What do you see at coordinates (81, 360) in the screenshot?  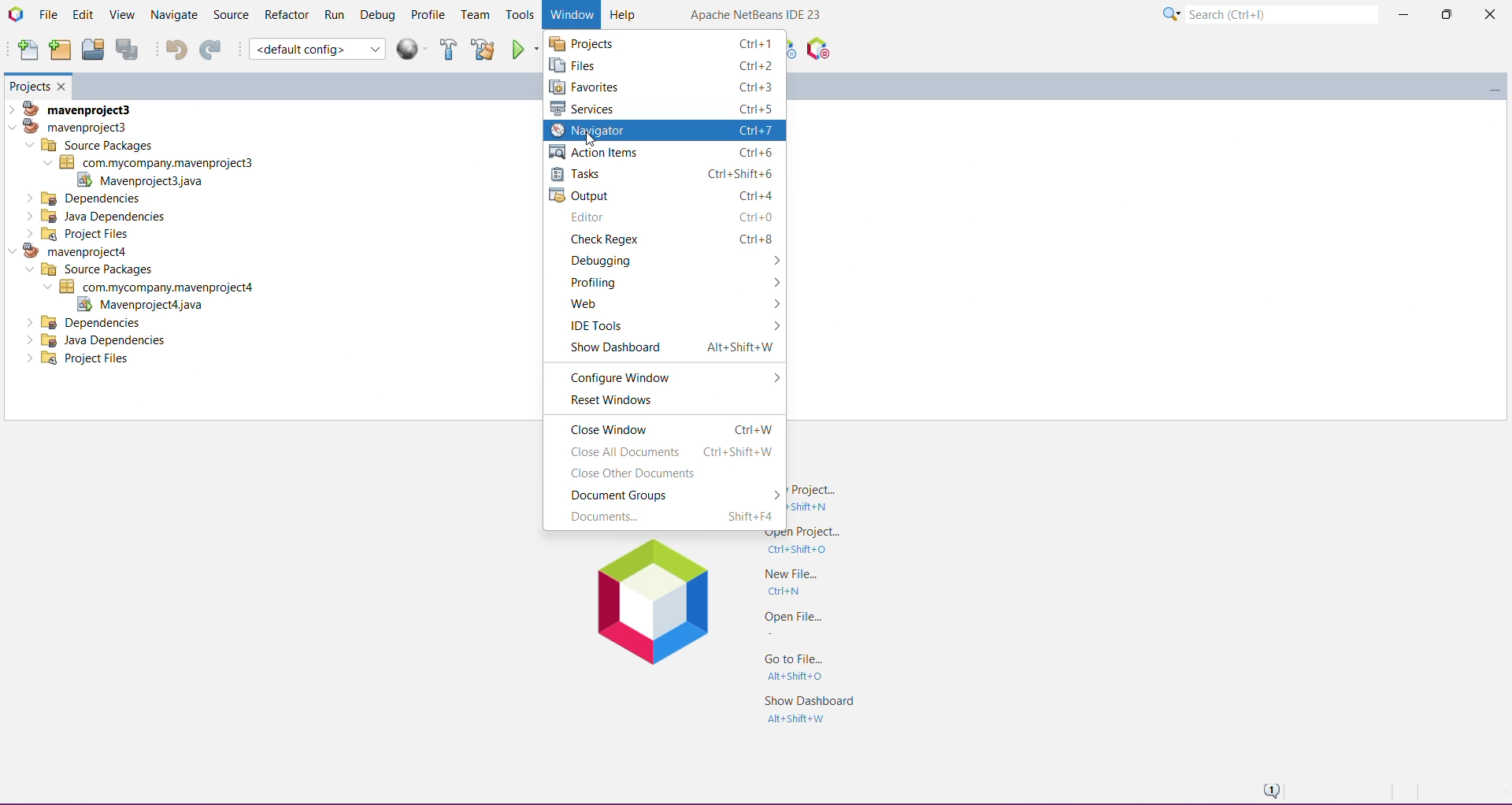 I see `Project Files` at bounding box center [81, 360].